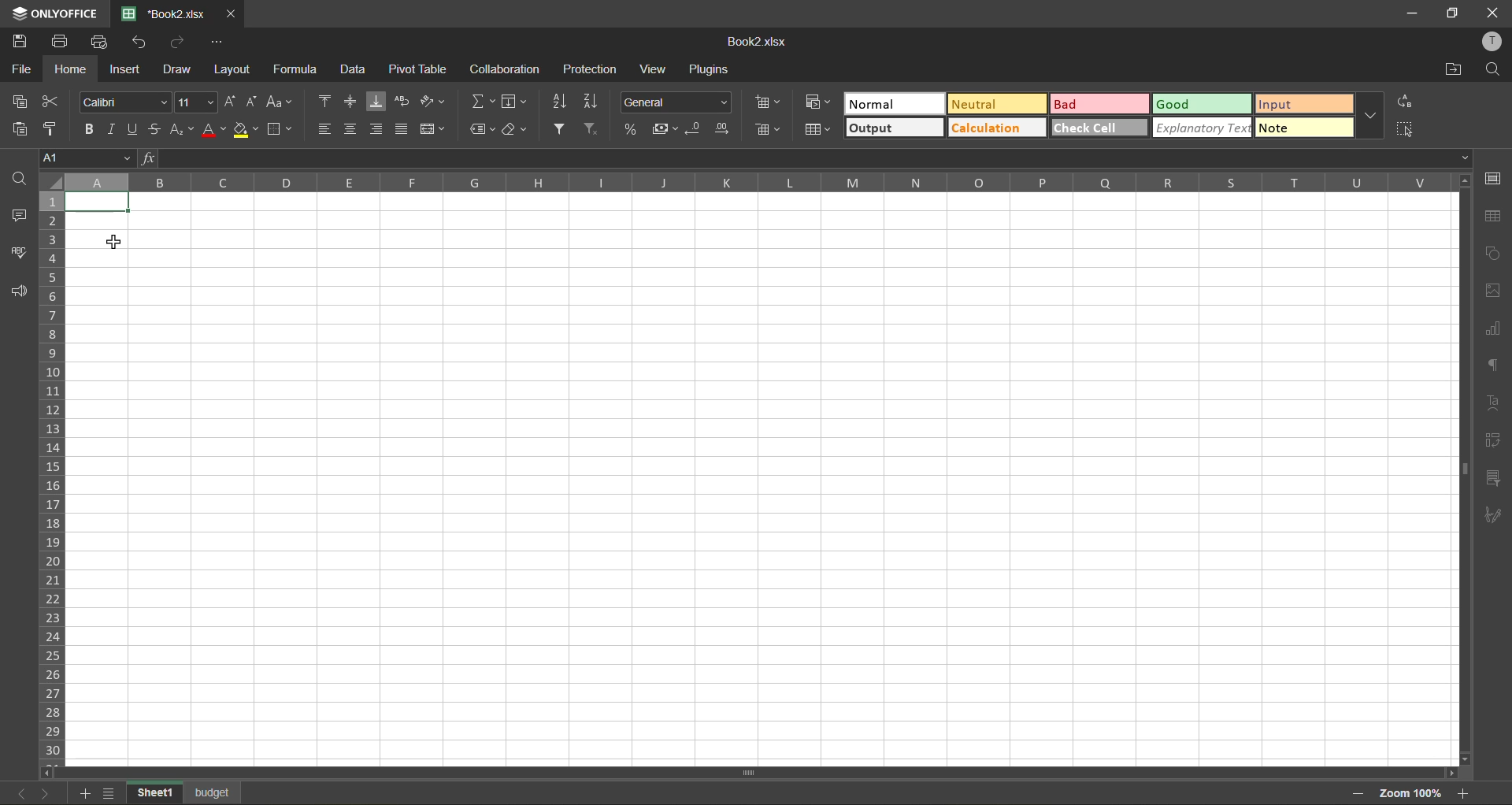 The image size is (1512, 805). I want to click on align center, so click(350, 129).